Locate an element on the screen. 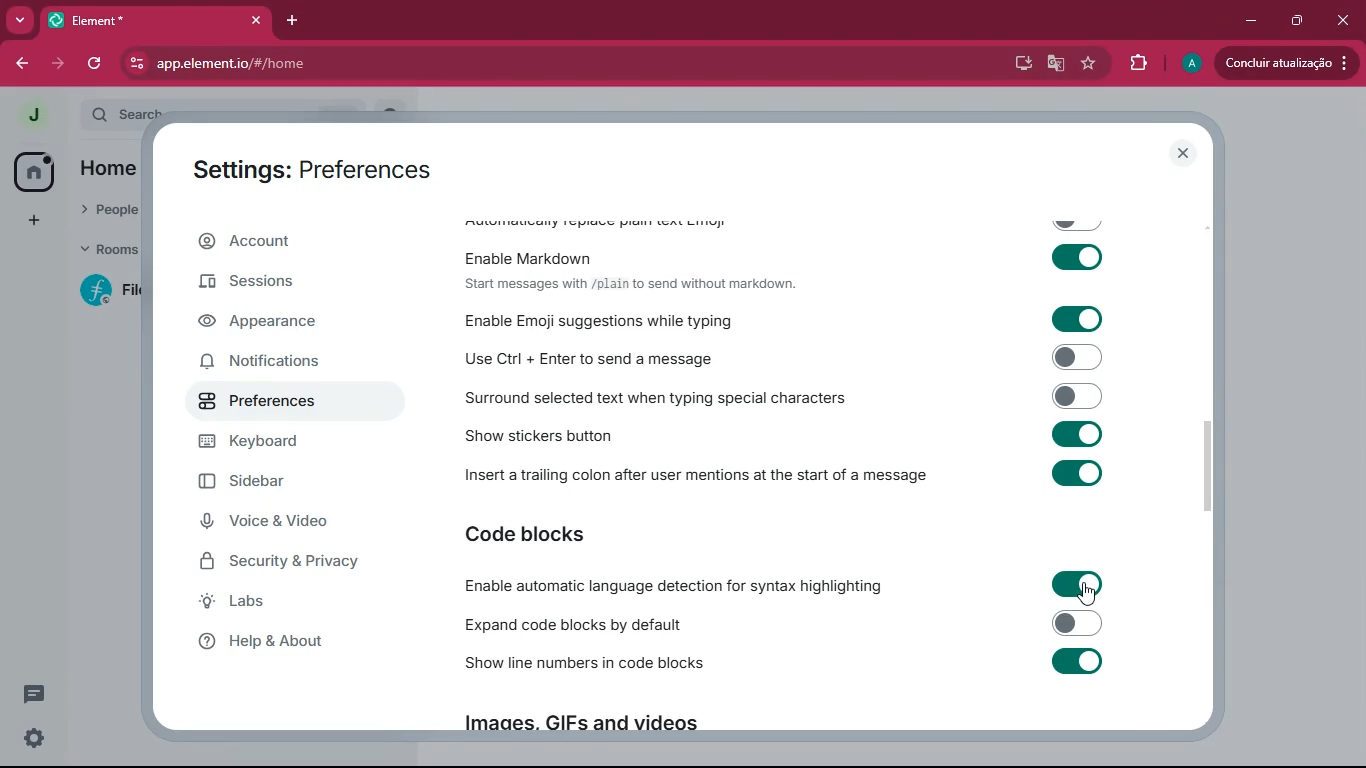  Enable Emoji suggestions while typing is located at coordinates (778, 319).